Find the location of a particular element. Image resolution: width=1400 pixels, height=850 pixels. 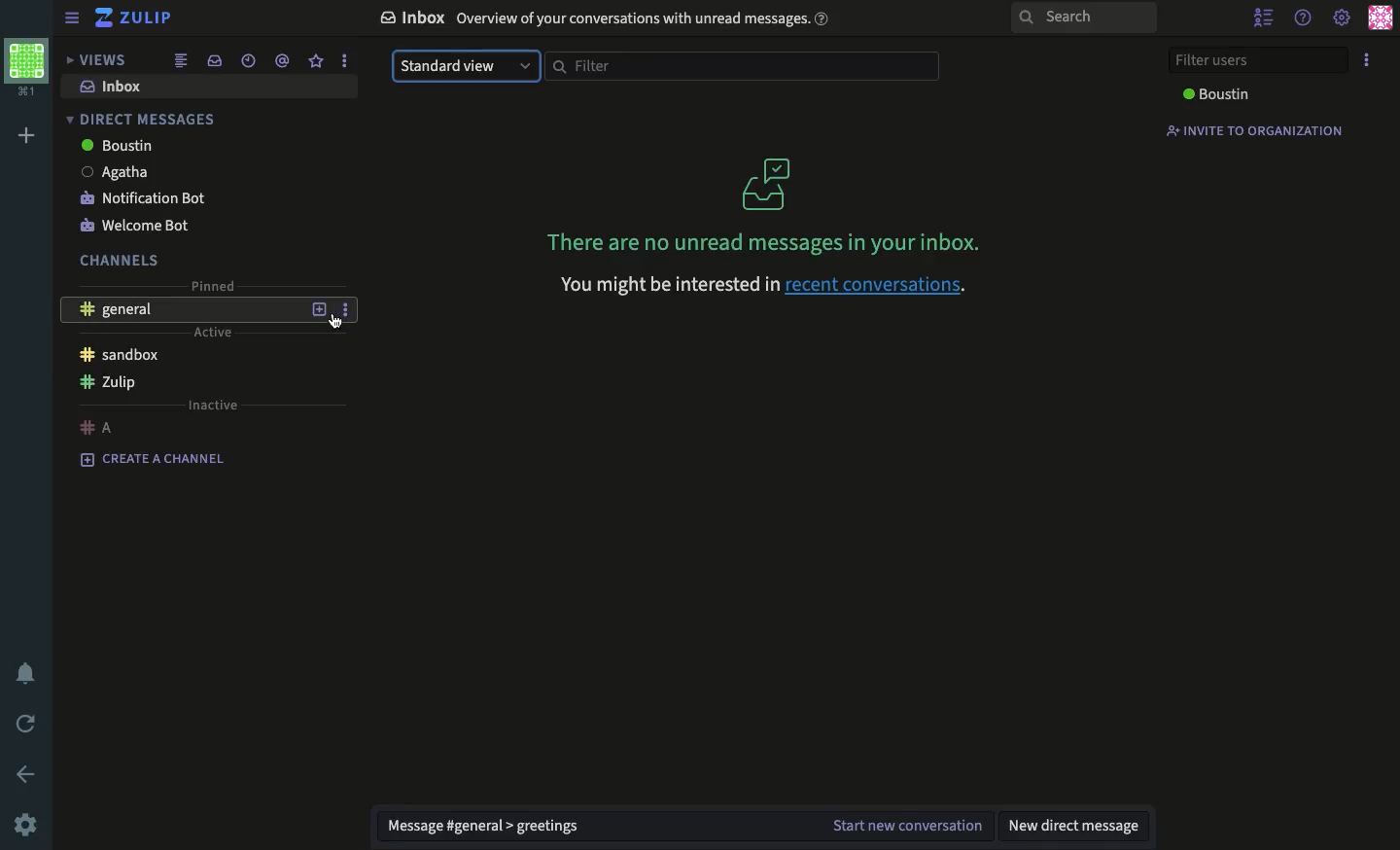

active is located at coordinates (215, 334).